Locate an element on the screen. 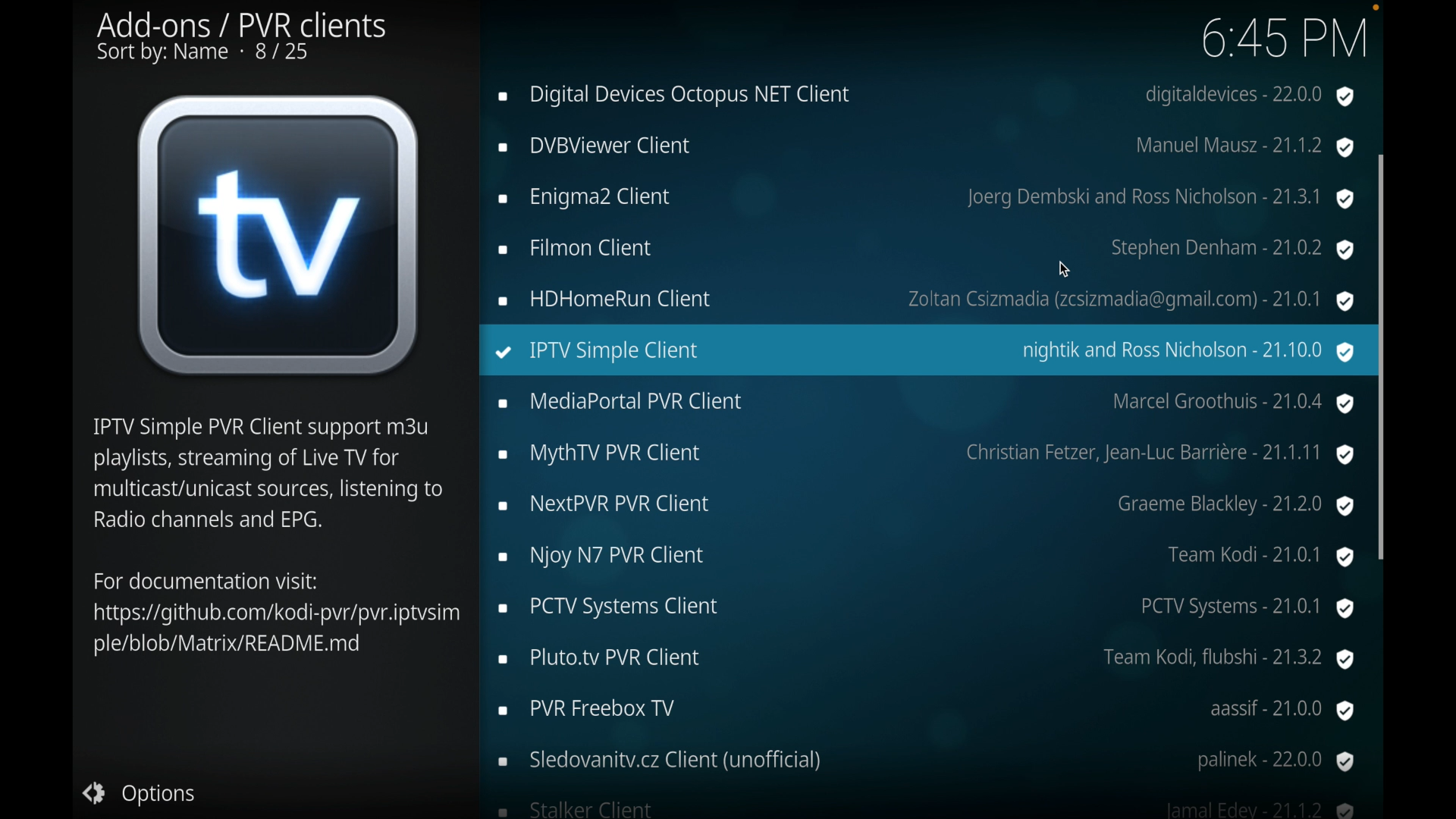 The image size is (1456, 819). iptvnextpvr pvr client is located at coordinates (927, 504).